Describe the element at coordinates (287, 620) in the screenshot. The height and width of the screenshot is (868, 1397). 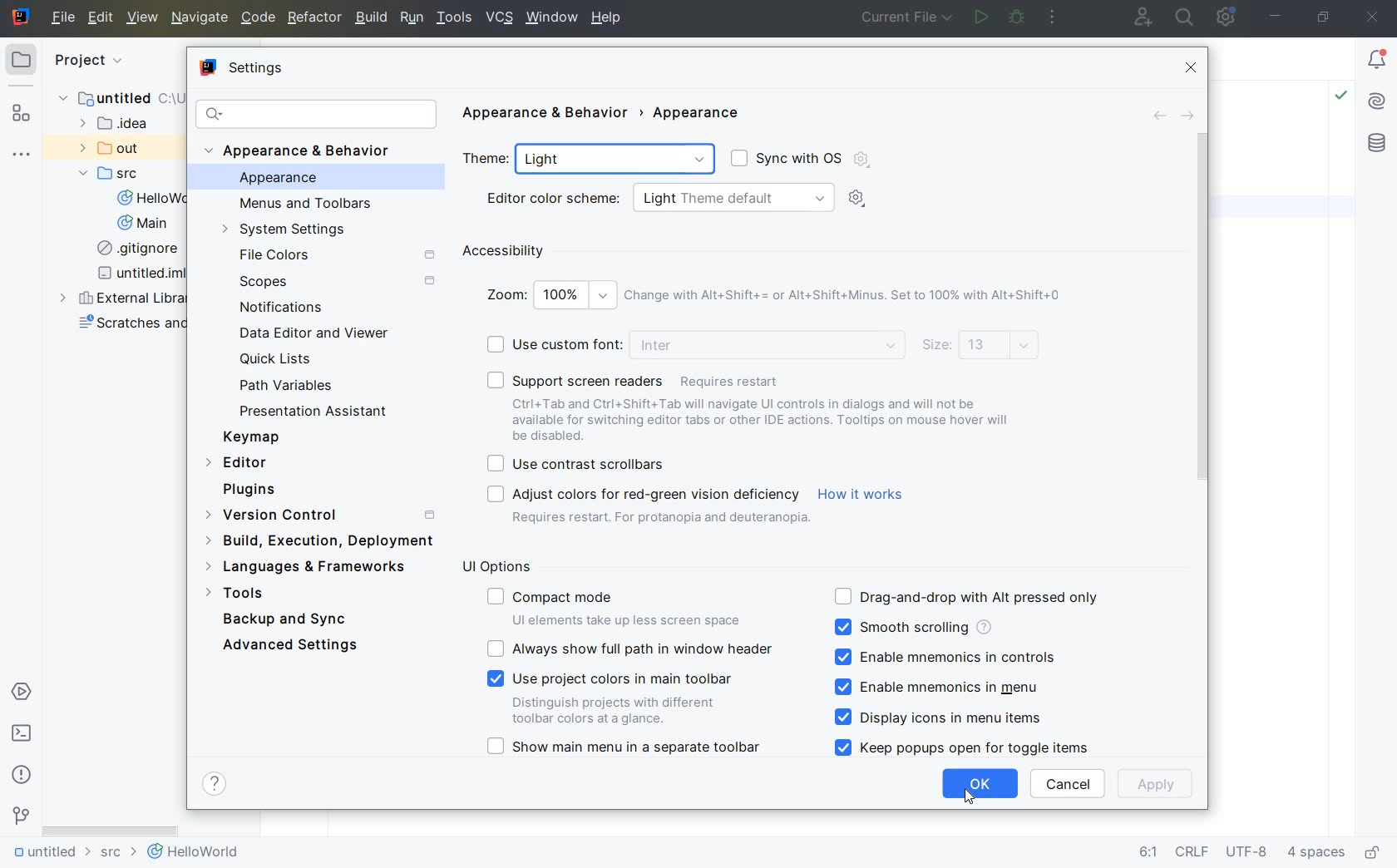
I see `BACKUP AND SYNC` at that location.